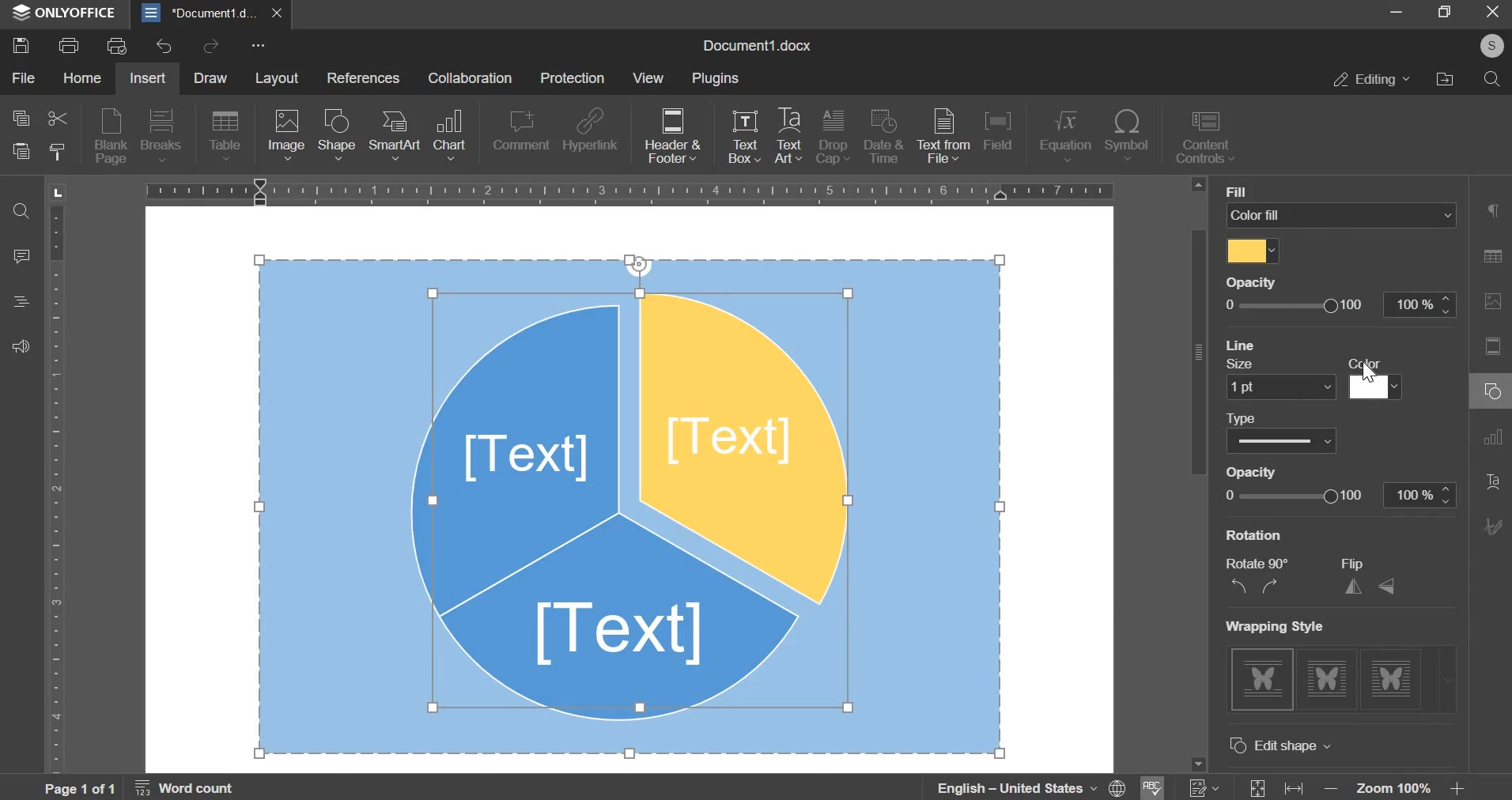 The height and width of the screenshot is (800, 1512). What do you see at coordinates (217, 77) in the screenshot?
I see `draw` at bounding box center [217, 77].